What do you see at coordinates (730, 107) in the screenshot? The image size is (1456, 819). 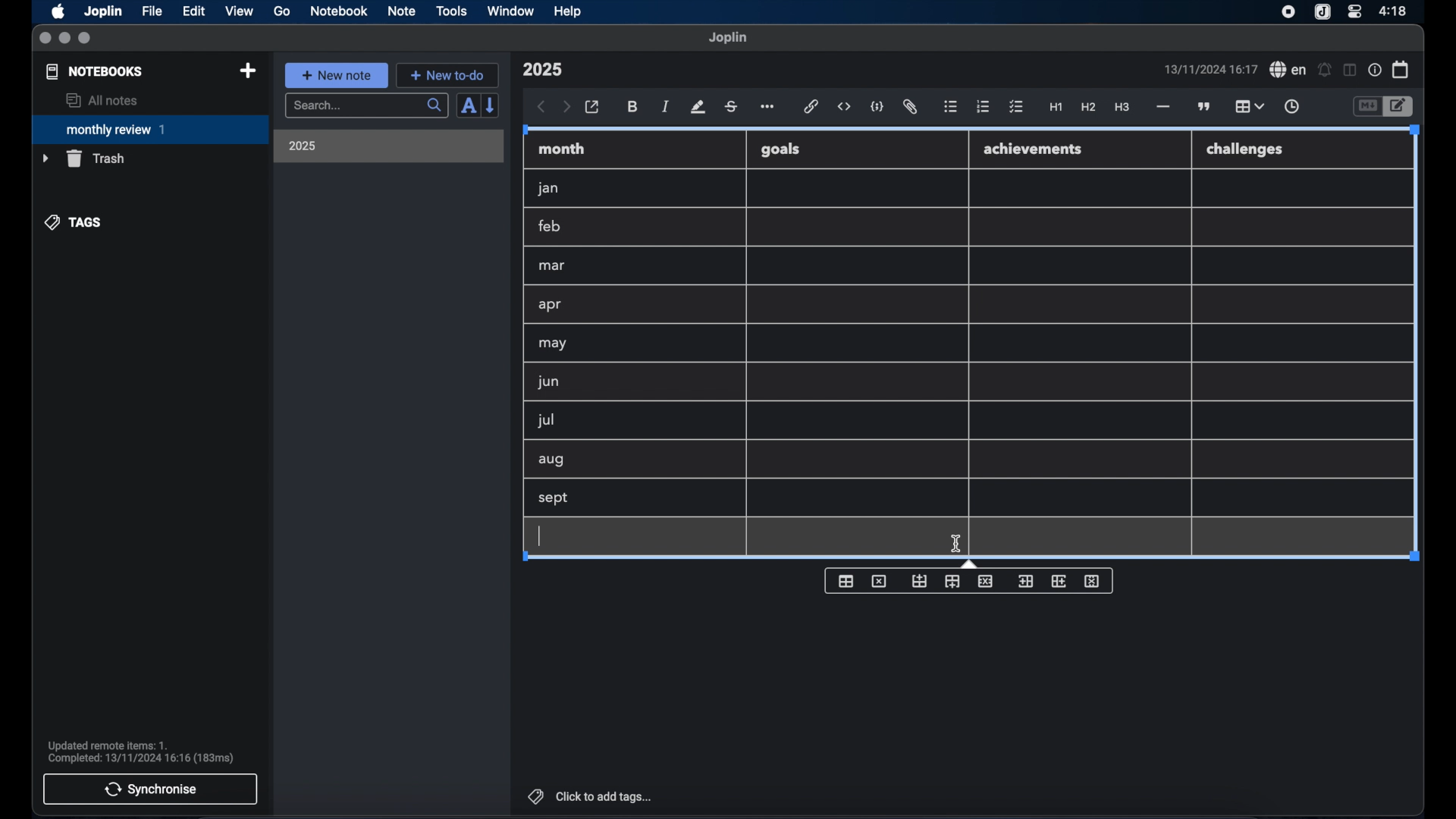 I see `strikethrough` at bounding box center [730, 107].